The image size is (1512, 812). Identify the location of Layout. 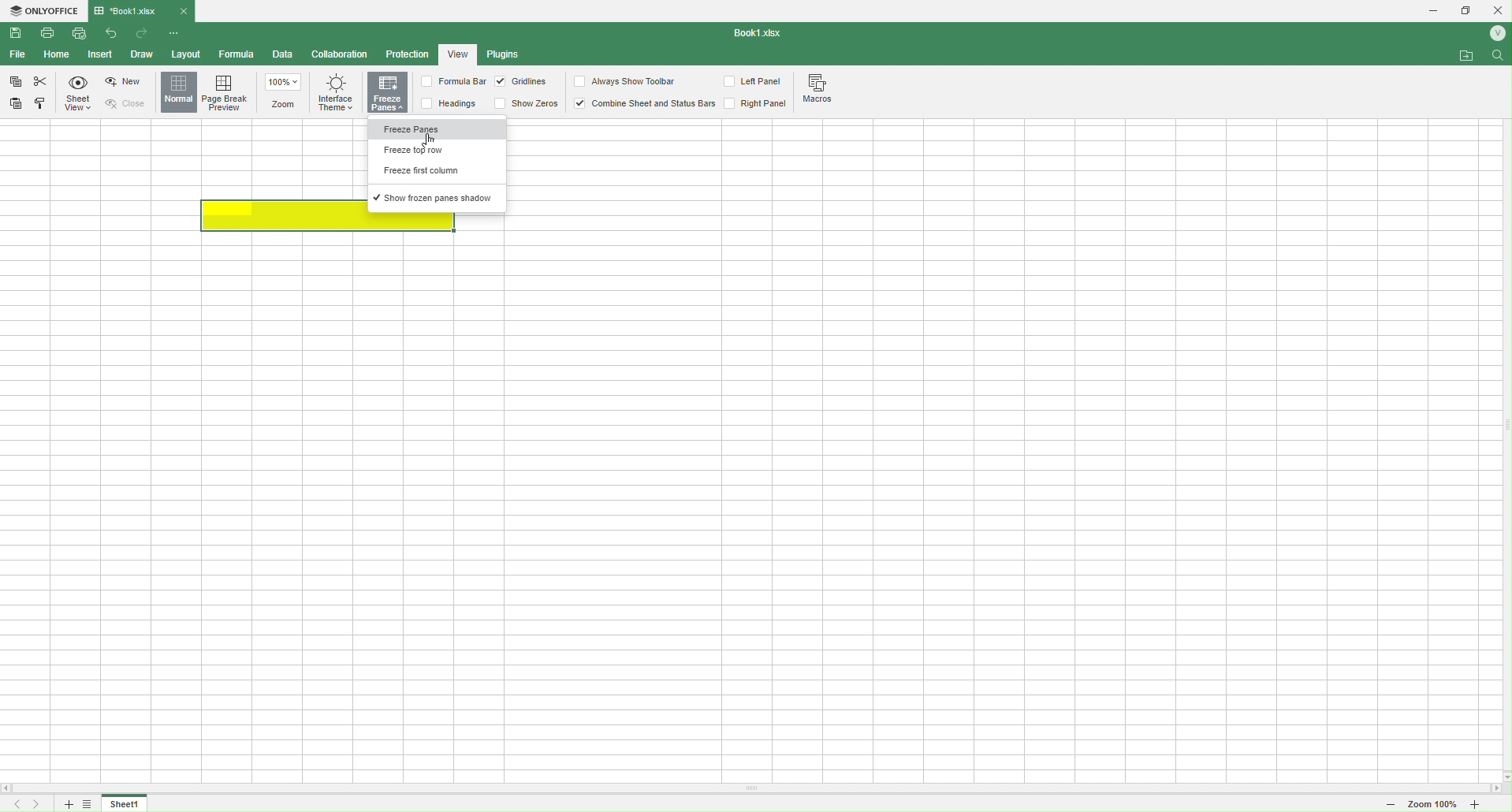
(184, 54).